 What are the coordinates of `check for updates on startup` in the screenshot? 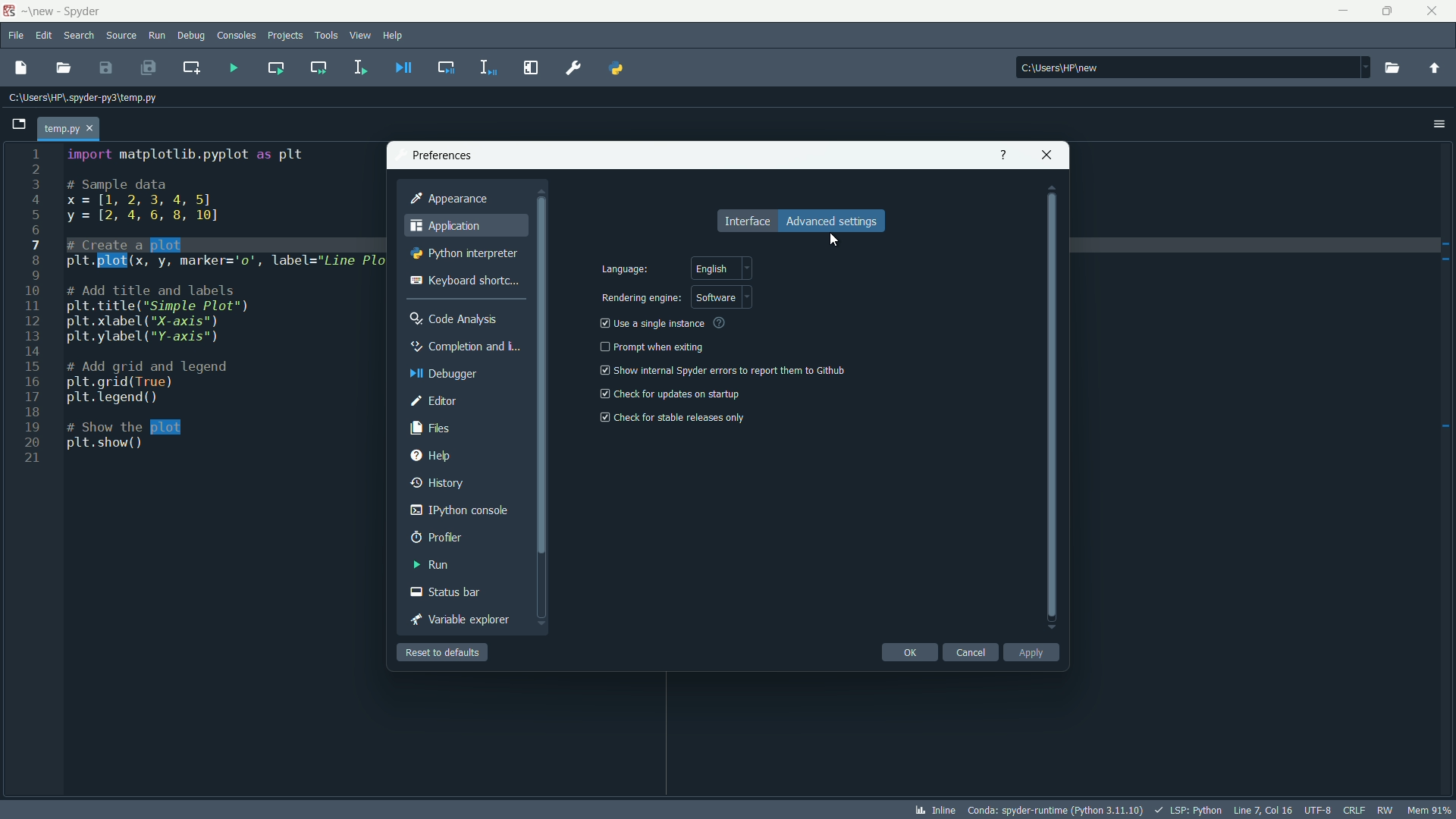 It's located at (679, 394).